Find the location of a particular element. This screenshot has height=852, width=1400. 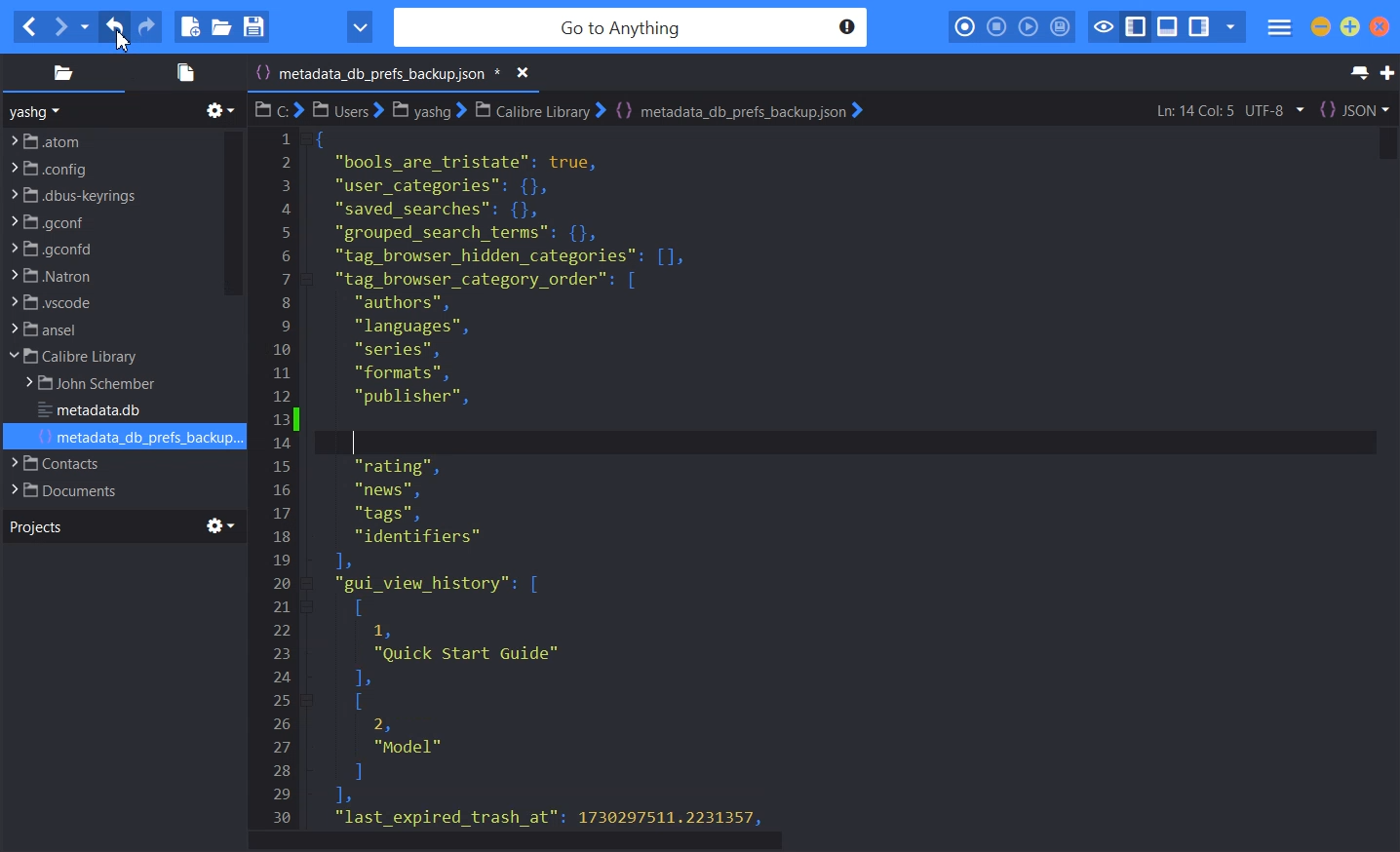

Open files is located at coordinates (182, 72).